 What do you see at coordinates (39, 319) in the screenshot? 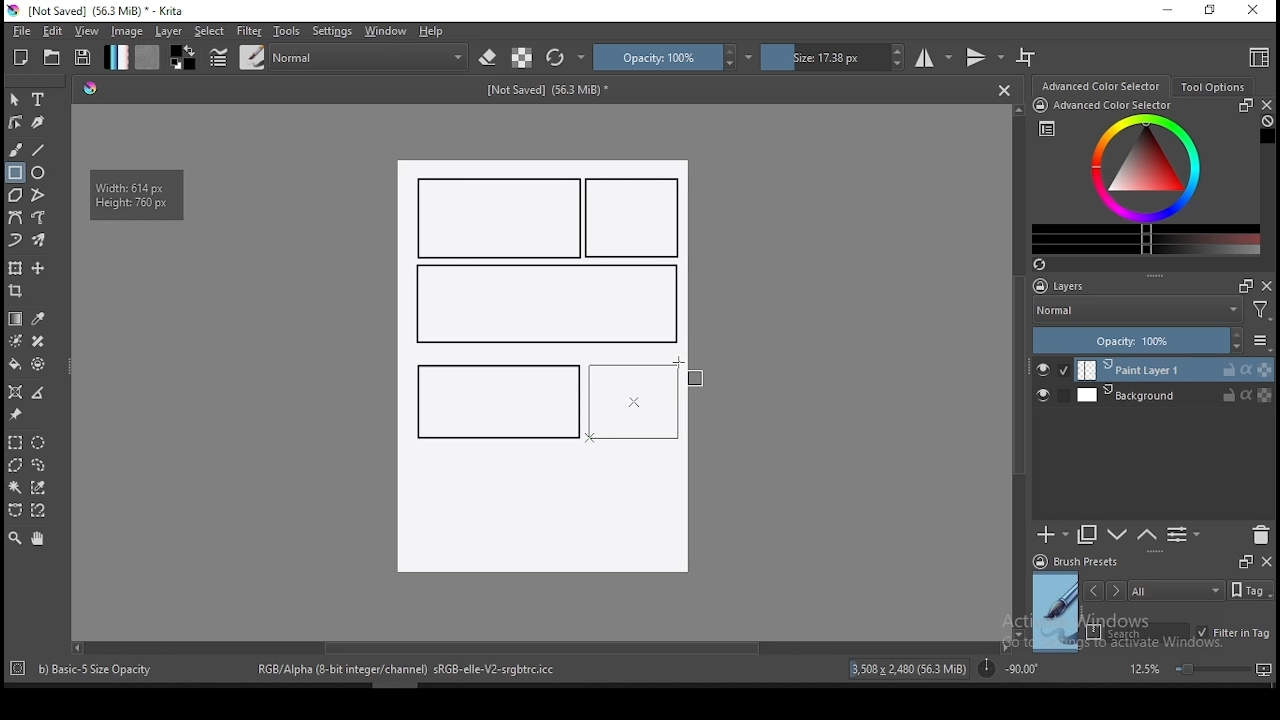
I see `pick a color from image and current layer` at bounding box center [39, 319].